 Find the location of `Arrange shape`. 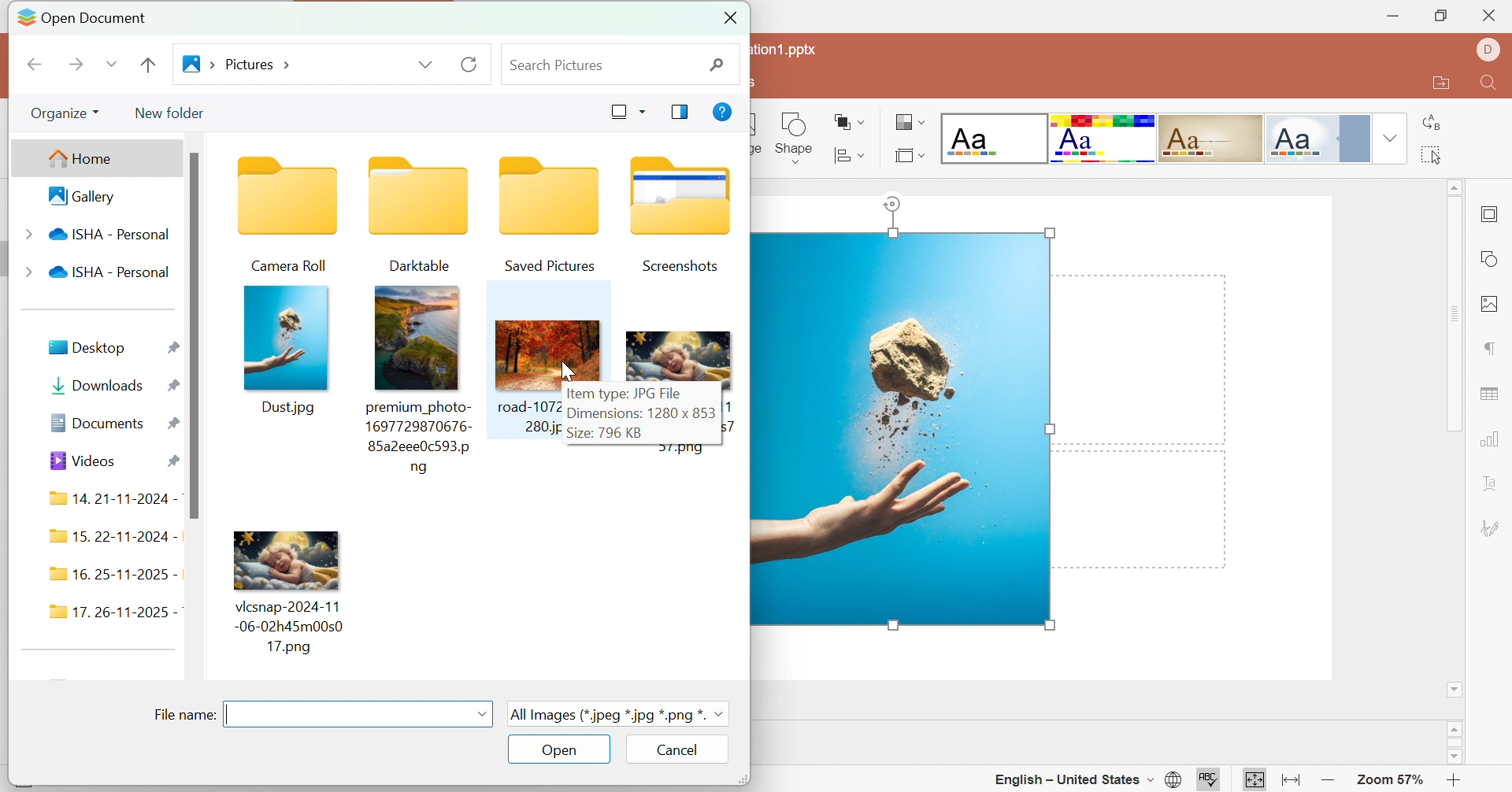

Arrange shape is located at coordinates (850, 152).